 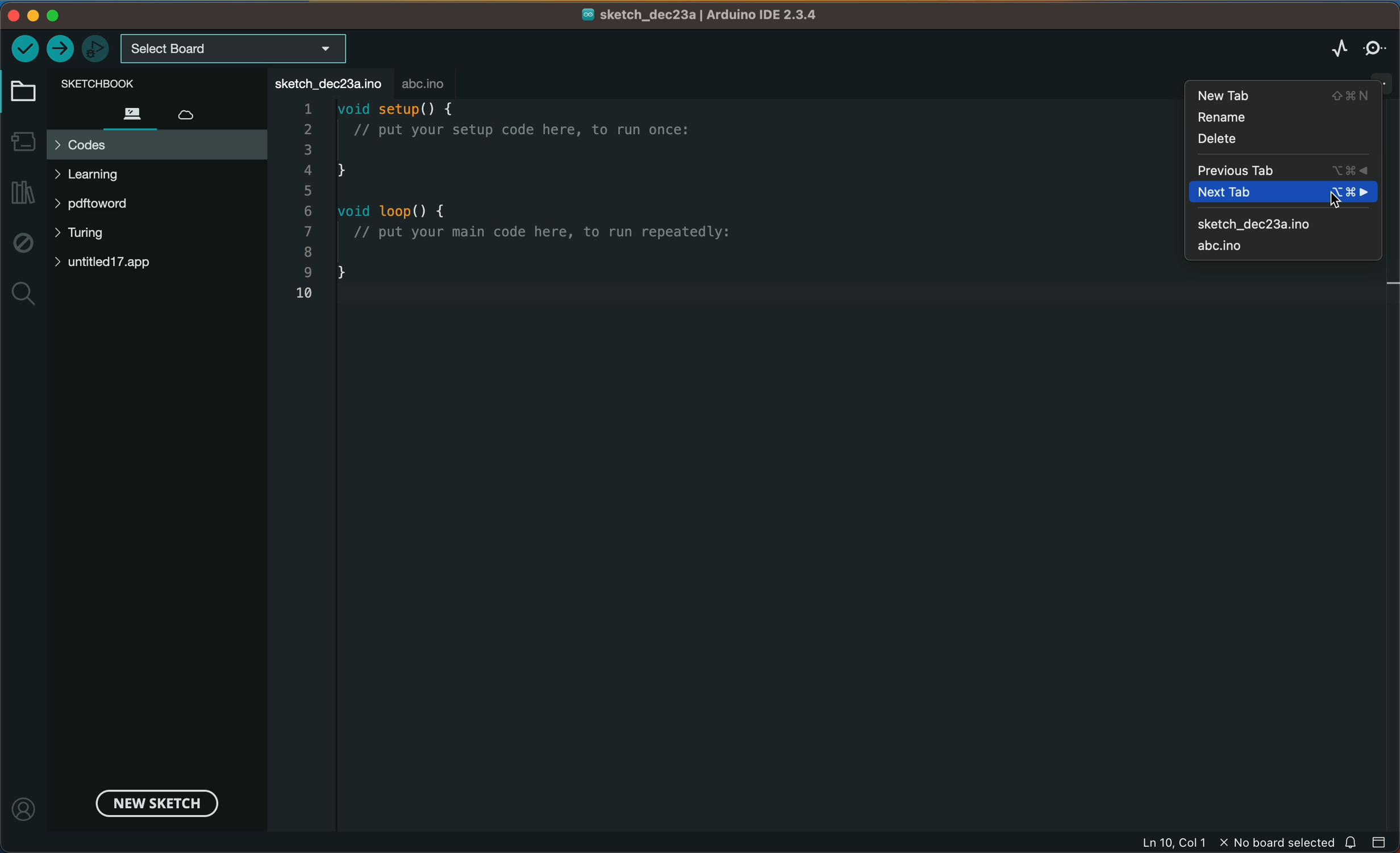 I want to click on window control, so click(x=52, y=15).